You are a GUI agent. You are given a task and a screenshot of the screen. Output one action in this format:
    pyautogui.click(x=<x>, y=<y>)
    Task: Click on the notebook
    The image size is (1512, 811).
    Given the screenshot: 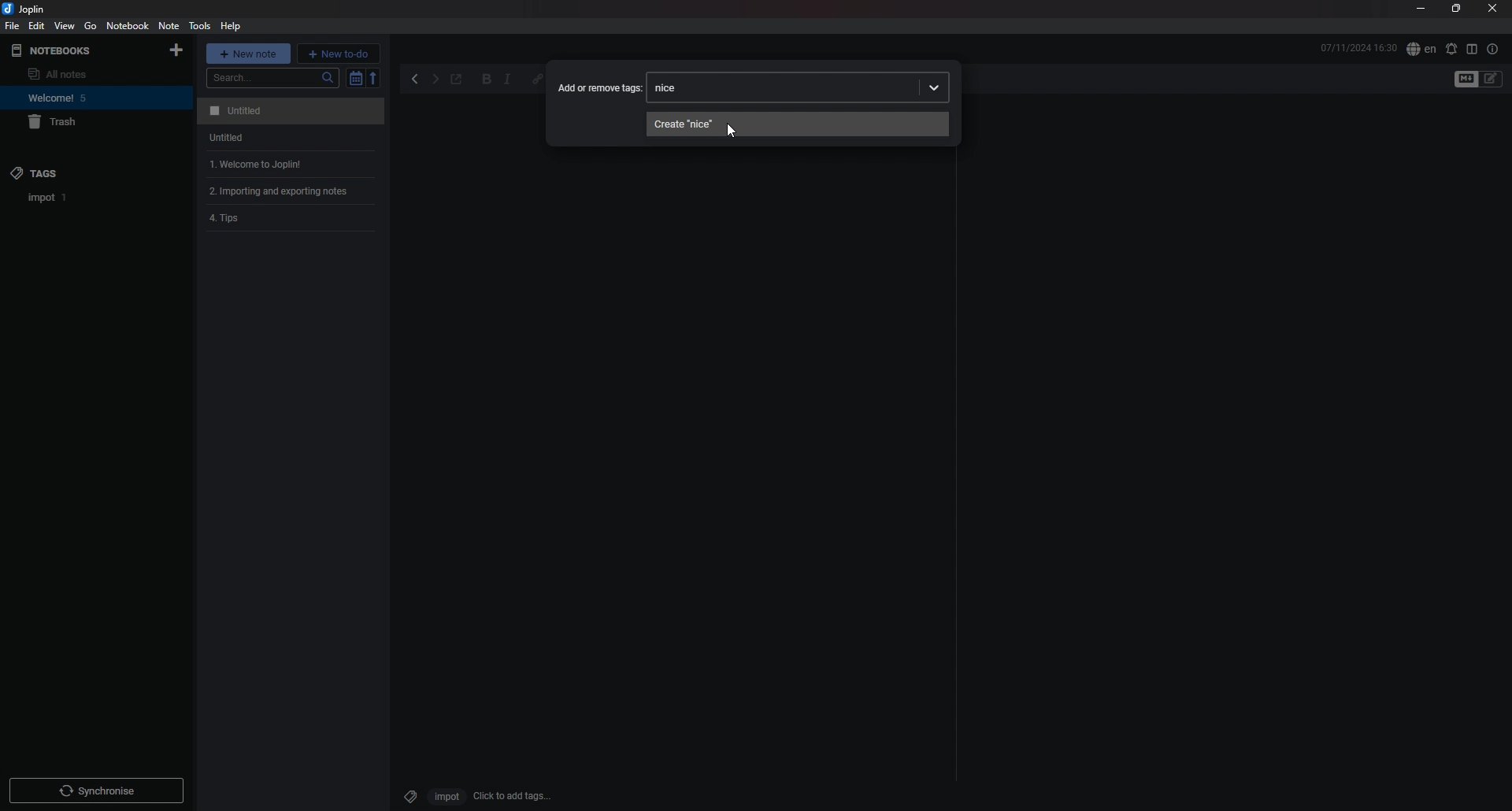 What is the action you would take?
    pyautogui.click(x=80, y=98)
    